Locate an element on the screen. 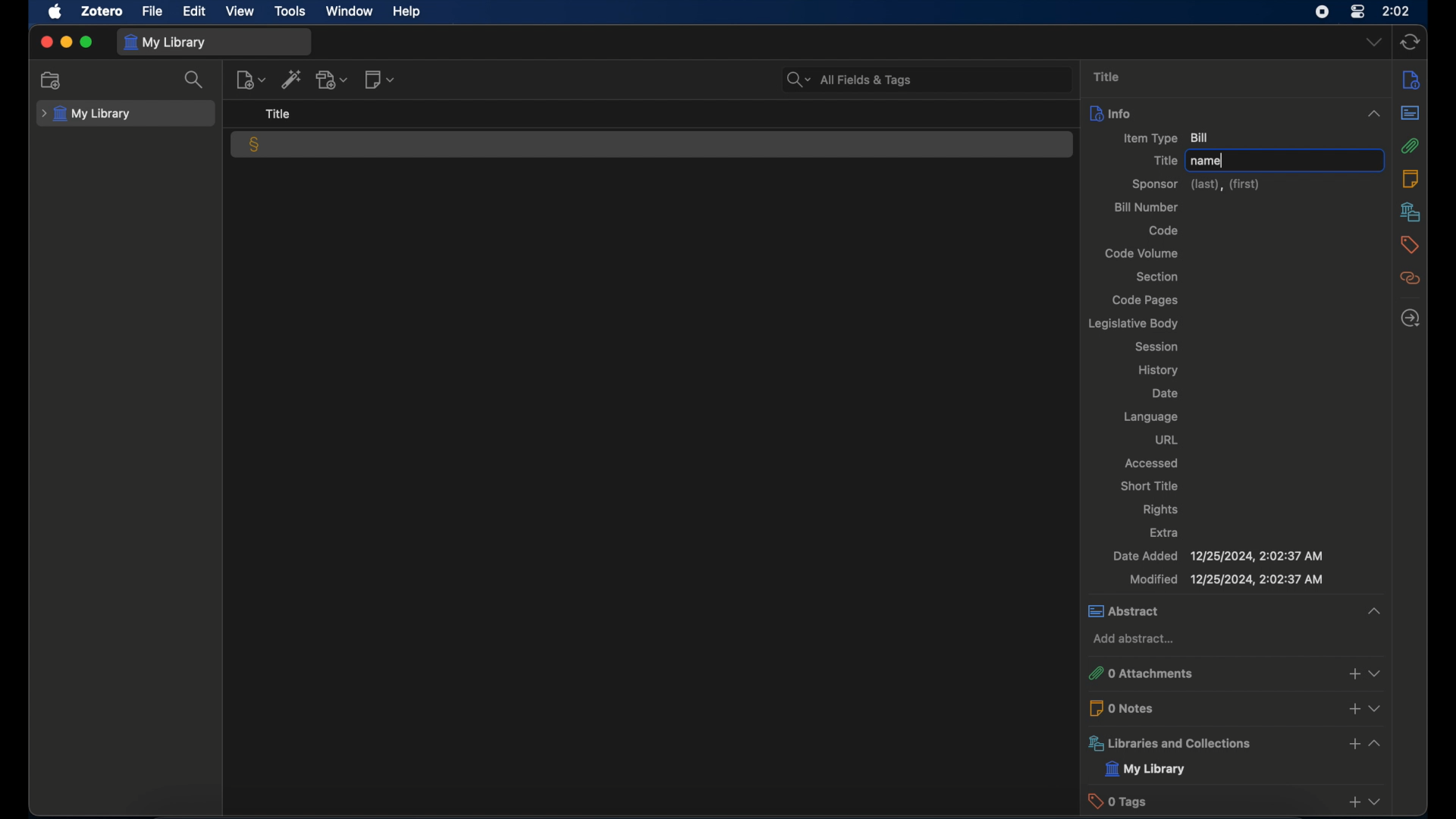 Image resolution: width=1456 pixels, height=819 pixels. maximize is located at coordinates (87, 42).